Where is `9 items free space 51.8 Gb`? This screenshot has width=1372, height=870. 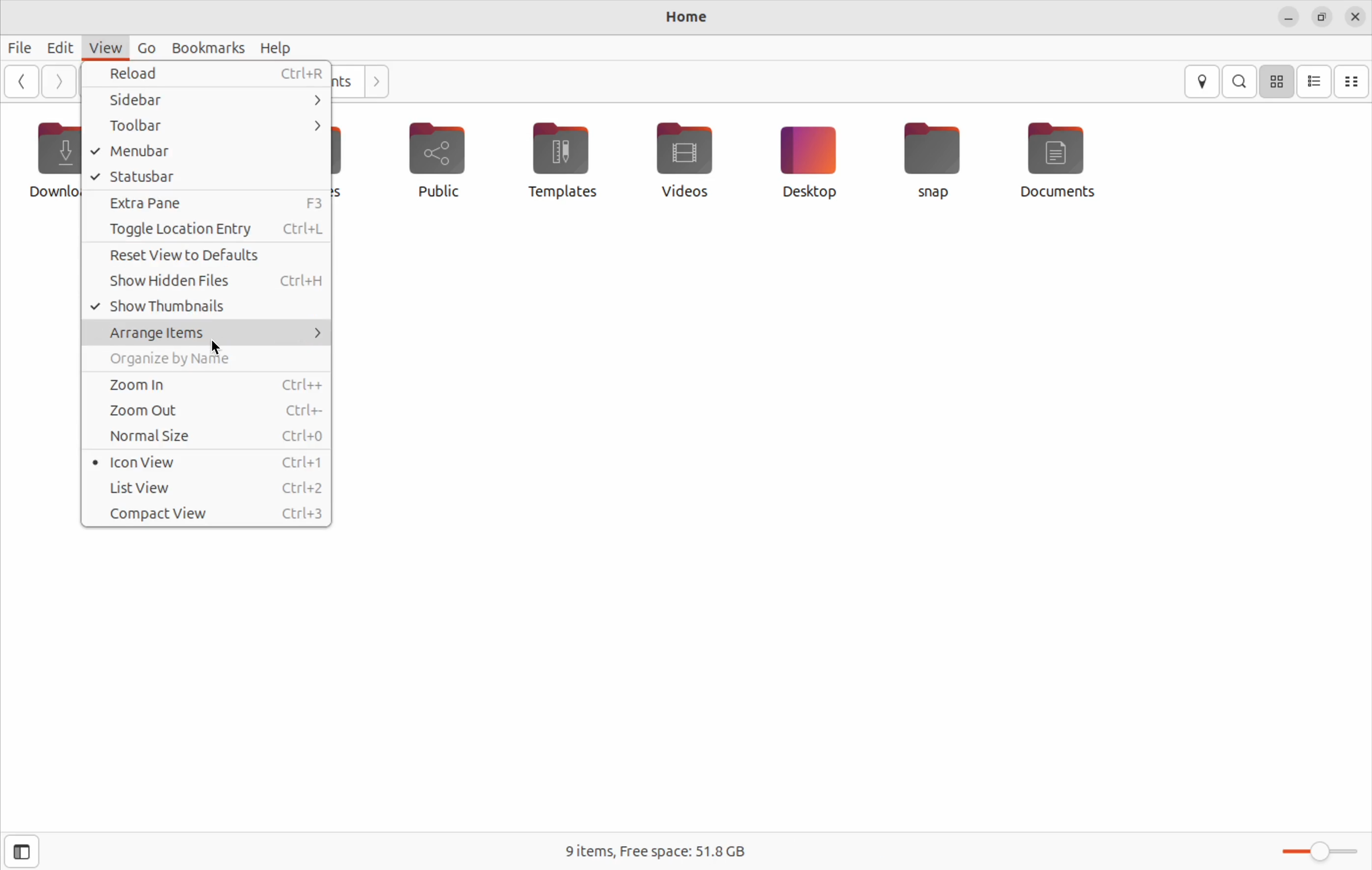
9 items free space 51.8 Gb is located at coordinates (670, 851).